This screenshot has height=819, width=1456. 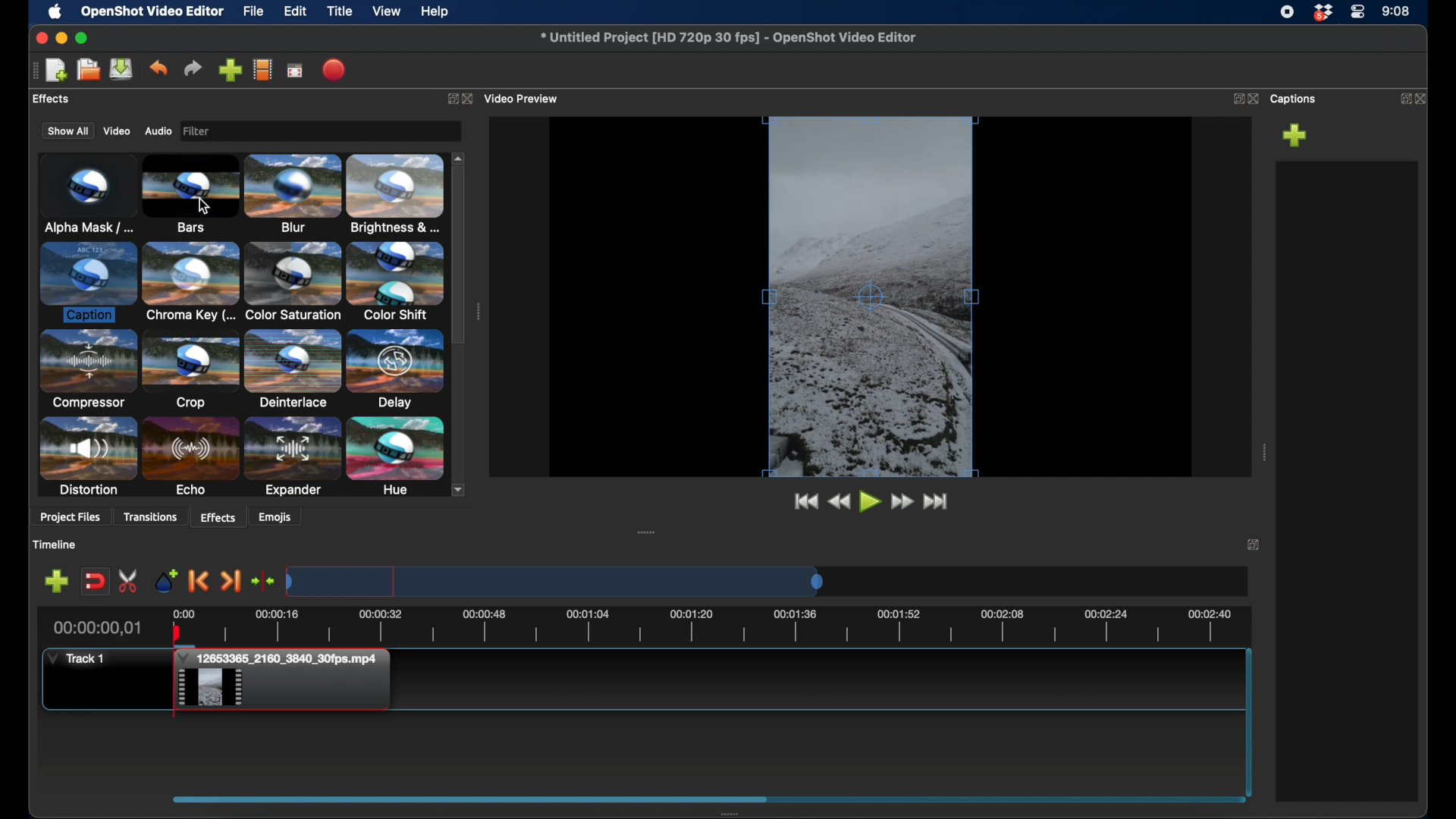 What do you see at coordinates (88, 370) in the screenshot?
I see `compressor` at bounding box center [88, 370].